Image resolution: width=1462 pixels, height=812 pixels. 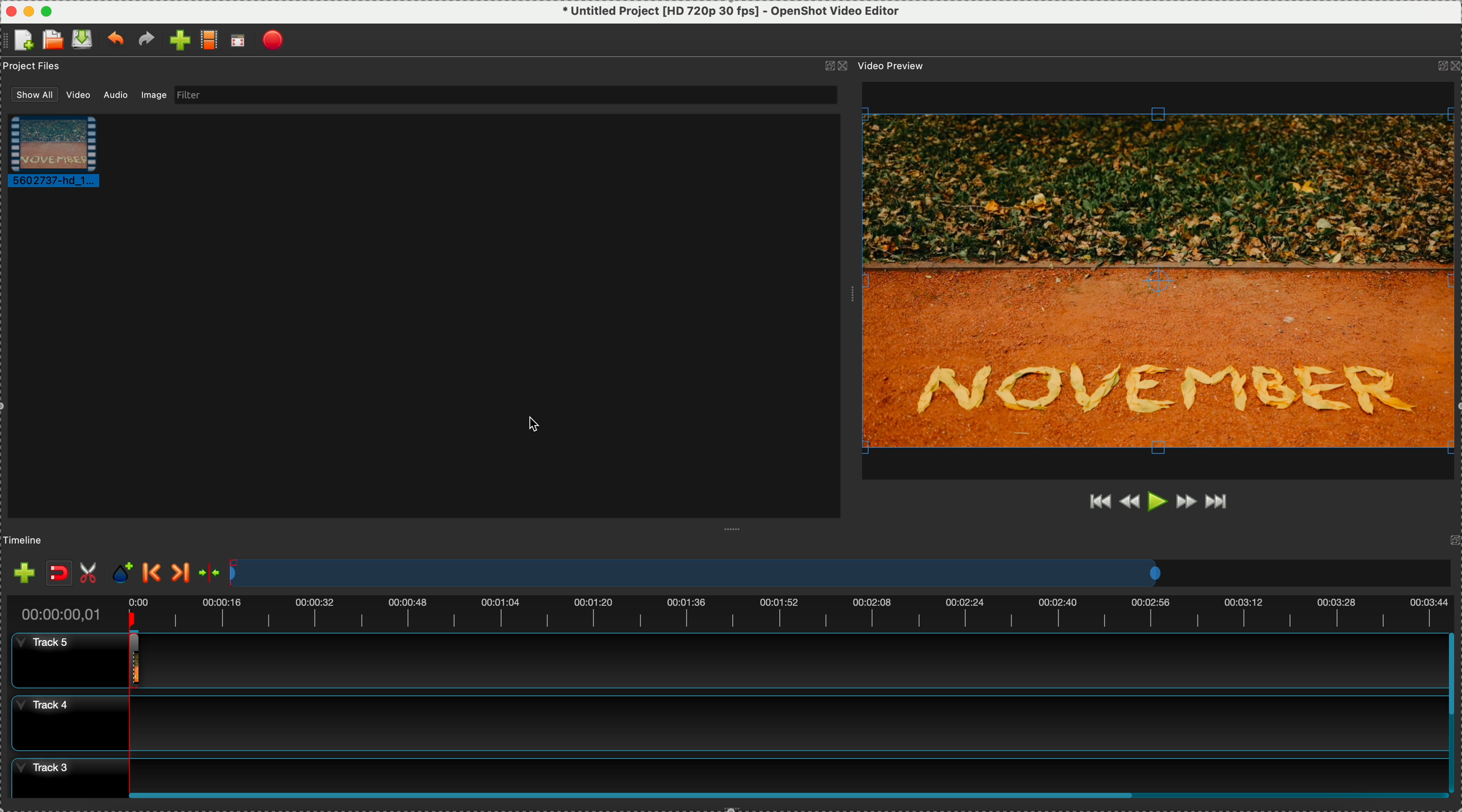 What do you see at coordinates (209, 41) in the screenshot?
I see `choose profile` at bounding box center [209, 41].